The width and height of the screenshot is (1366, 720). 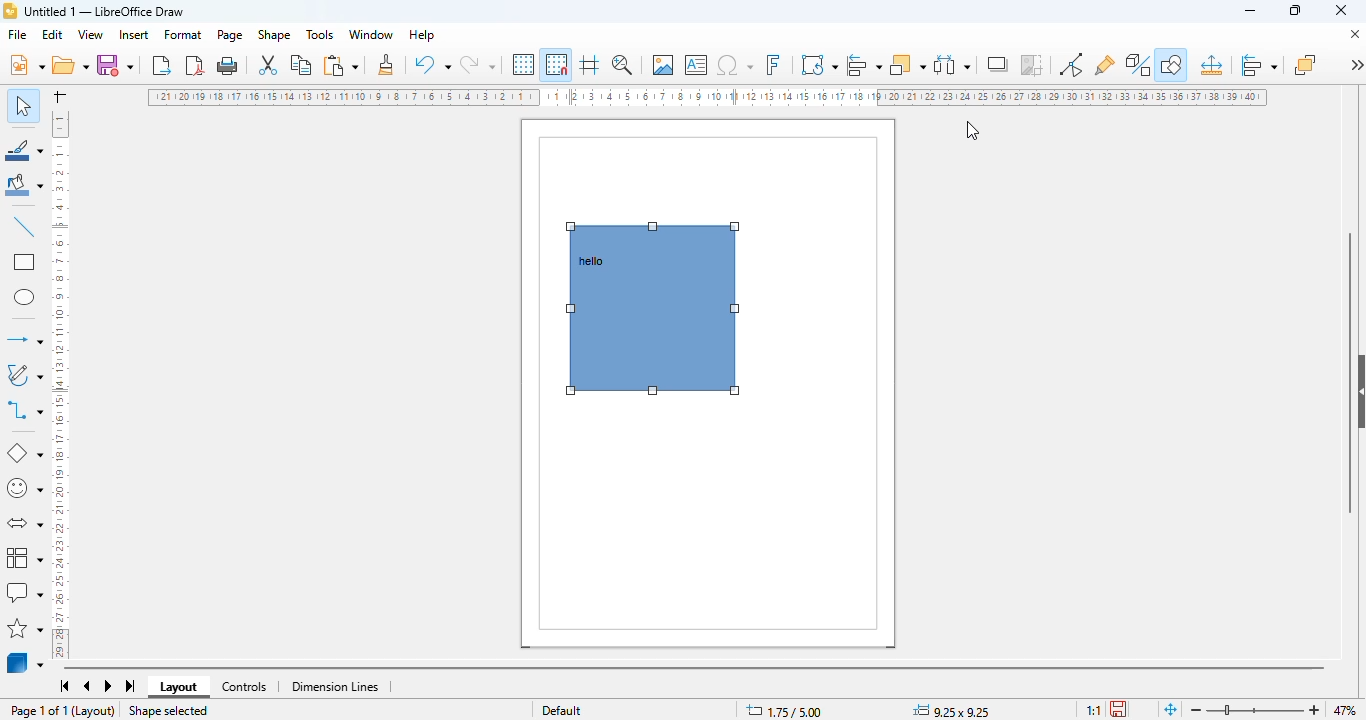 I want to click on dimension lines, so click(x=336, y=687).